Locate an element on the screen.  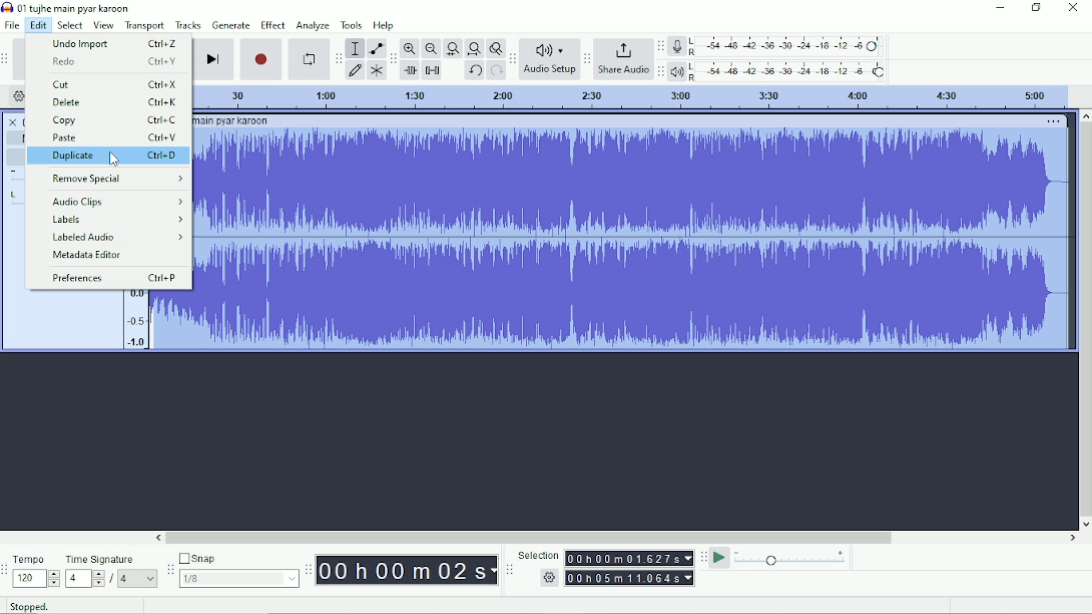
1/8 is located at coordinates (239, 578).